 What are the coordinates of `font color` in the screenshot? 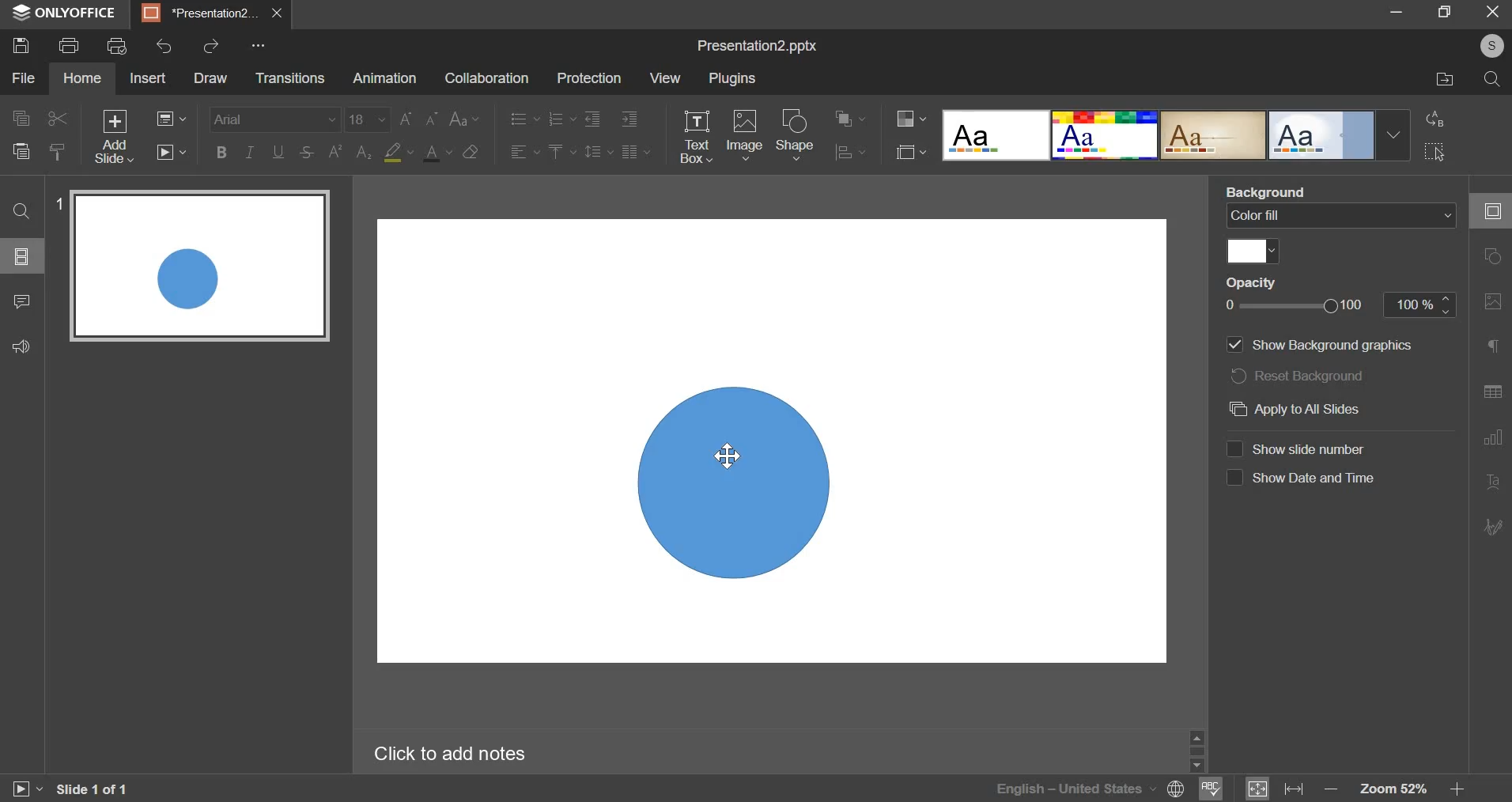 It's located at (437, 153).